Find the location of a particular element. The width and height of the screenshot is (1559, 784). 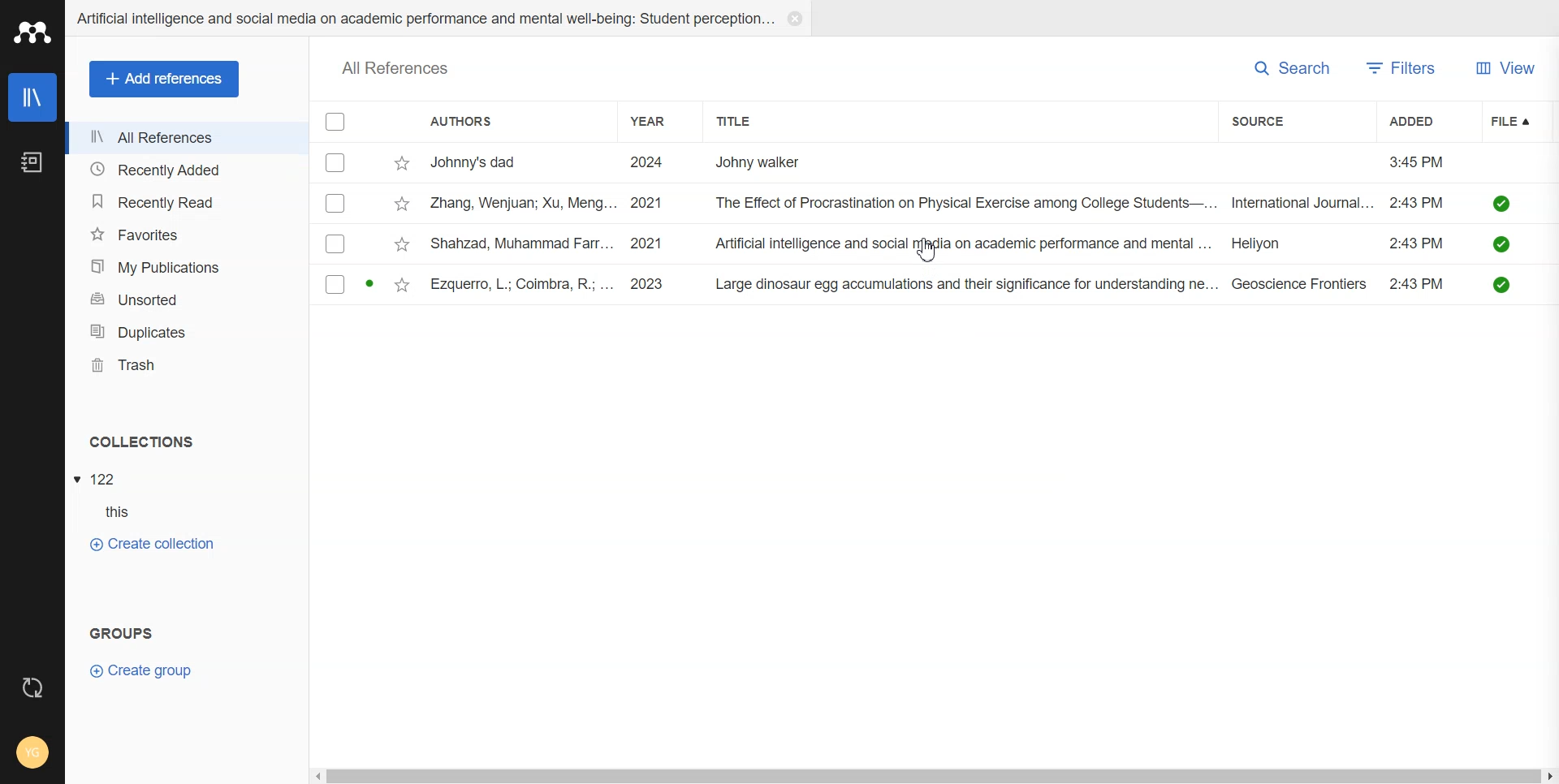

Unsorted is located at coordinates (187, 299).